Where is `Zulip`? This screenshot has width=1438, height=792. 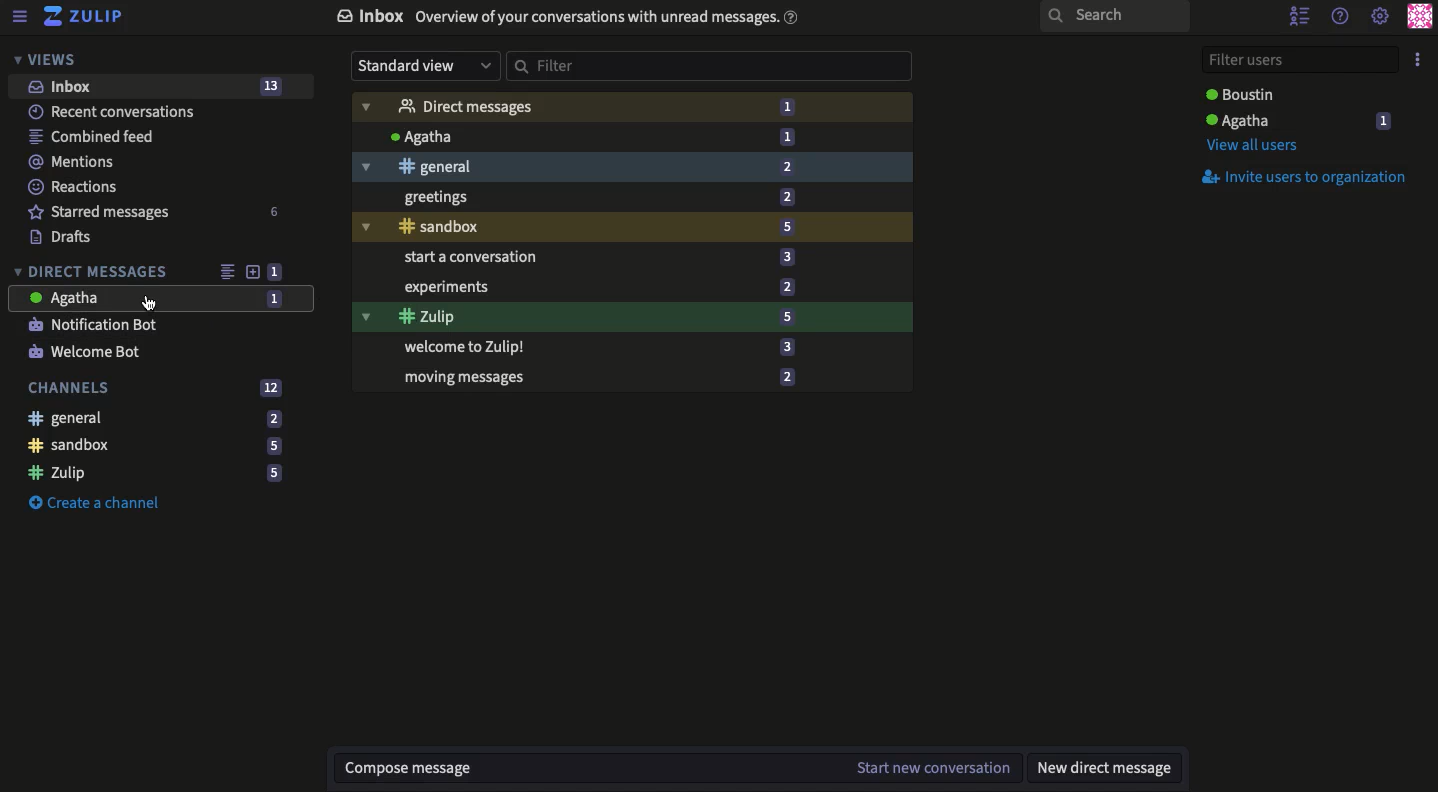
Zulip is located at coordinates (155, 474).